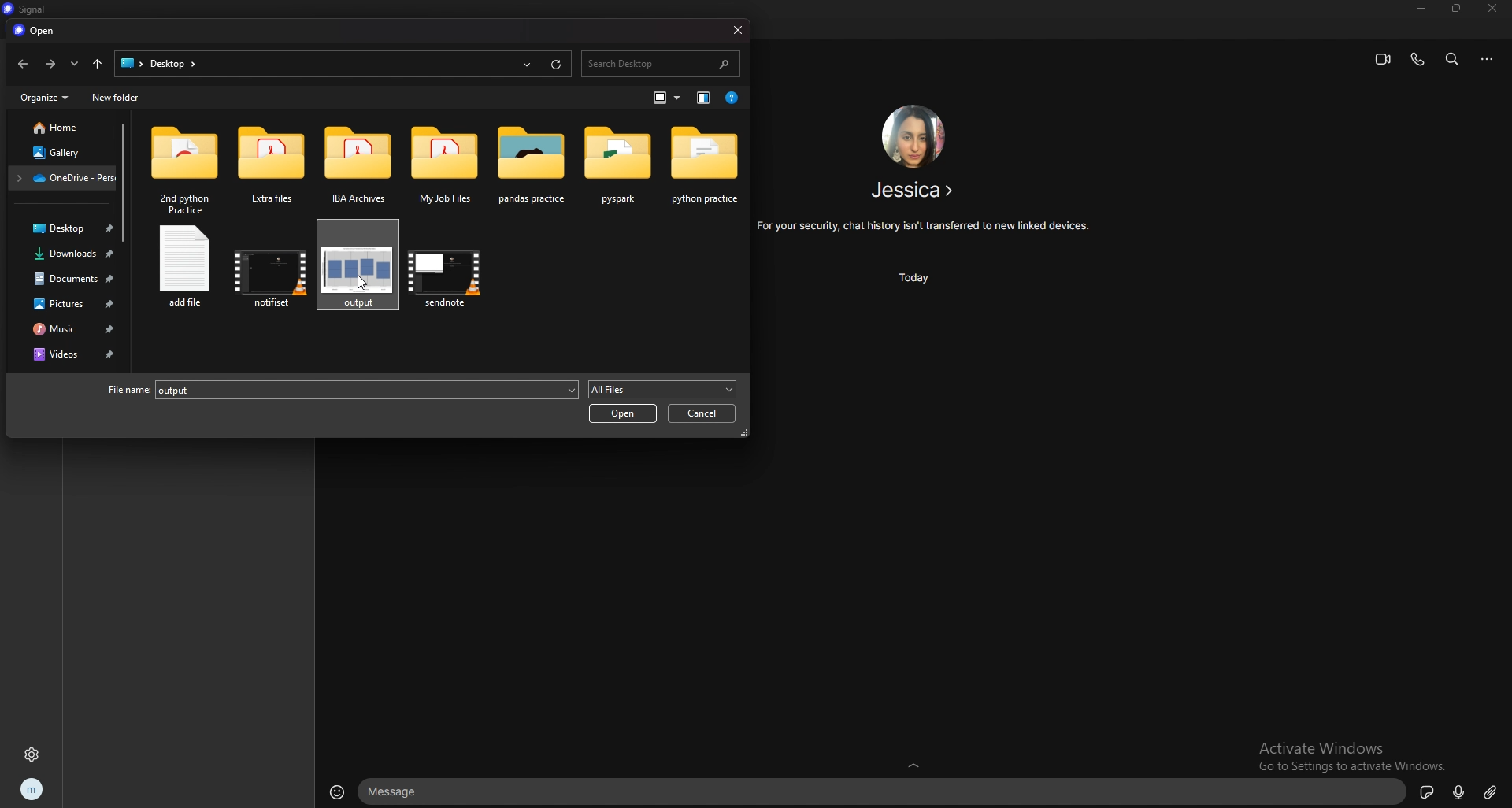  I want to click on back, so click(24, 64).